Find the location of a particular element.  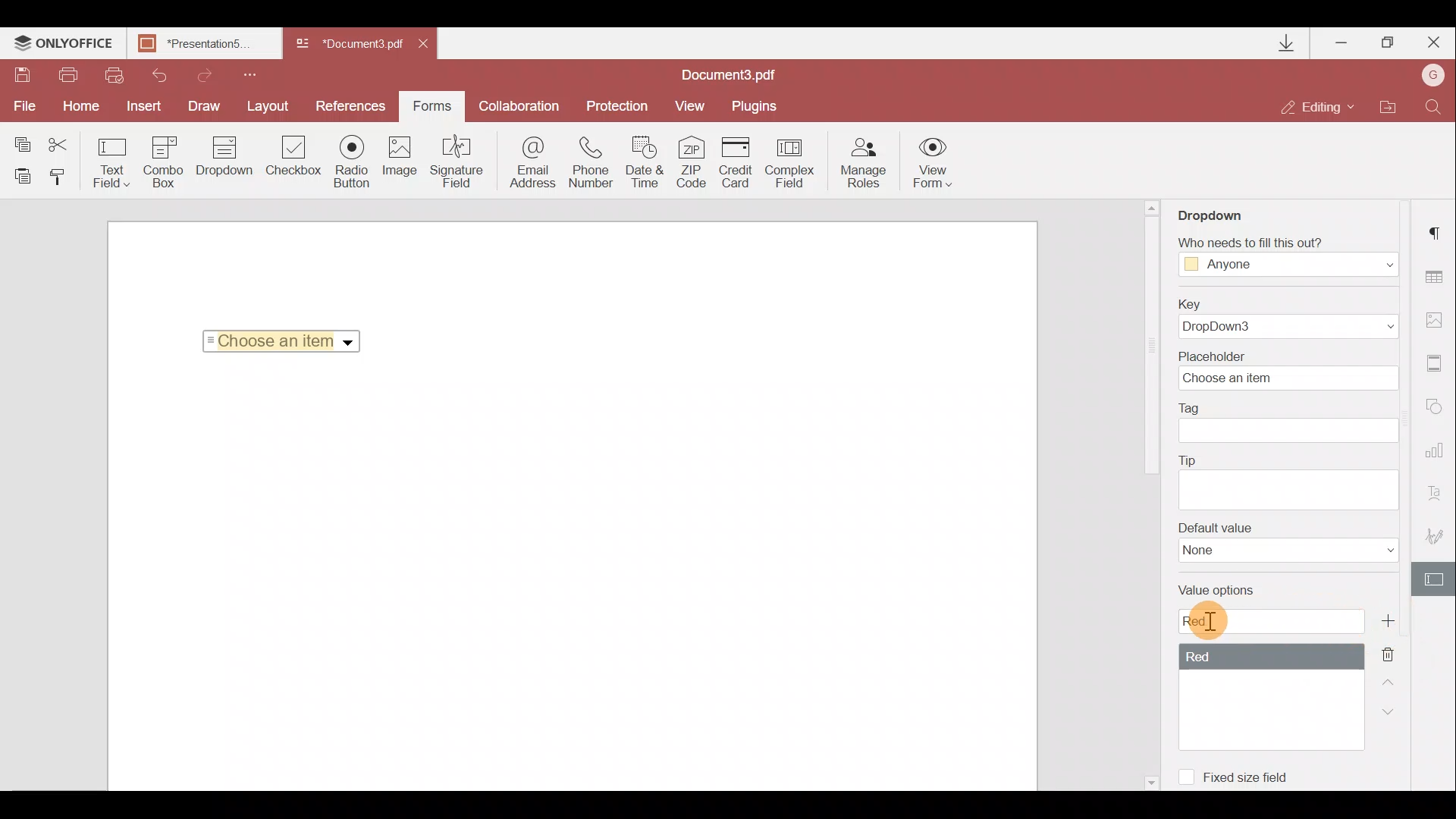

Customize quick access toolbar is located at coordinates (256, 74).